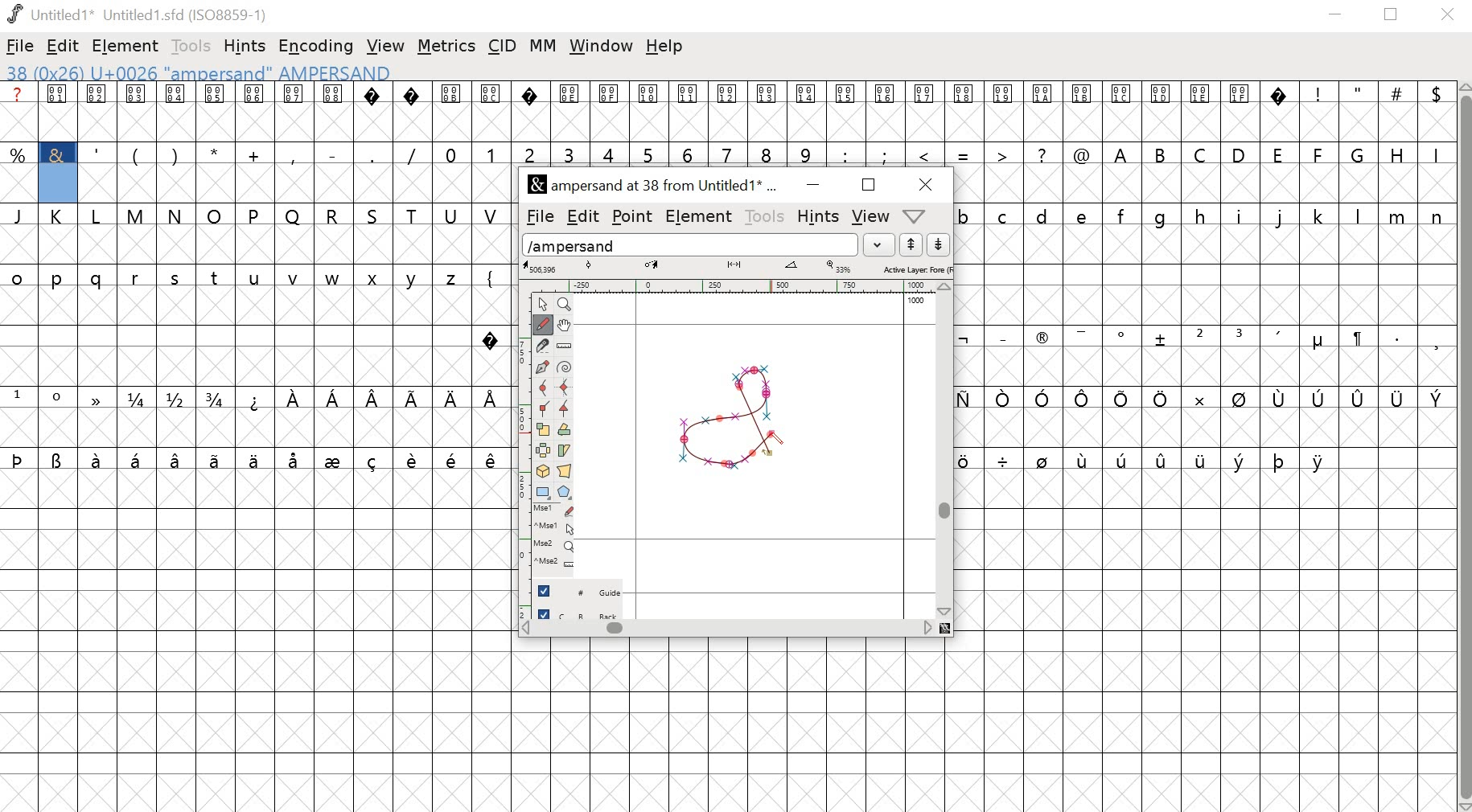 This screenshot has width=1472, height=812. Describe the element at coordinates (565, 431) in the screenshot. I see `rotate selection` at that location.